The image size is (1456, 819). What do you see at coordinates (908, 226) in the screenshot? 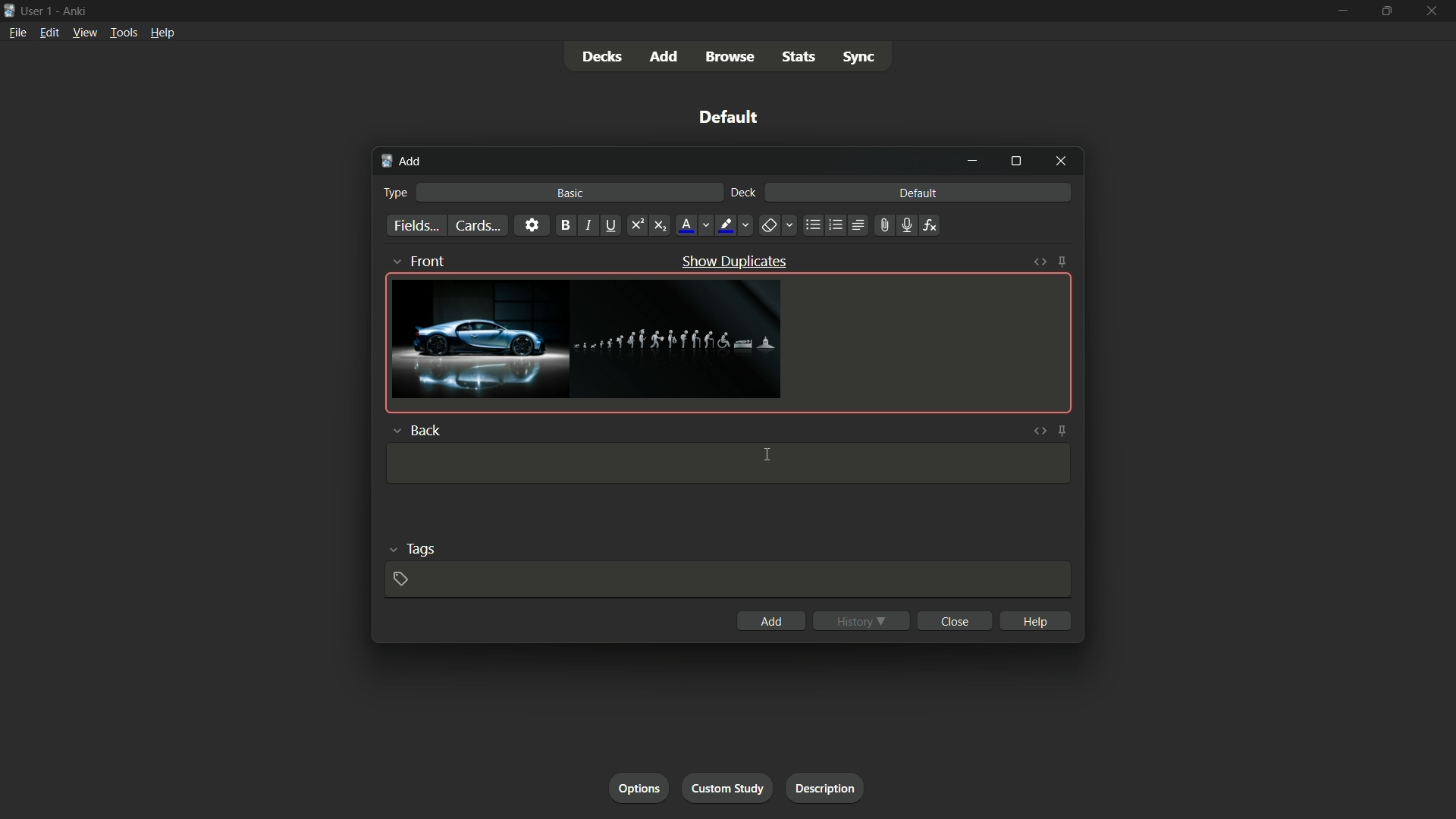
I see `record audio` at bounding box center [908, 226].